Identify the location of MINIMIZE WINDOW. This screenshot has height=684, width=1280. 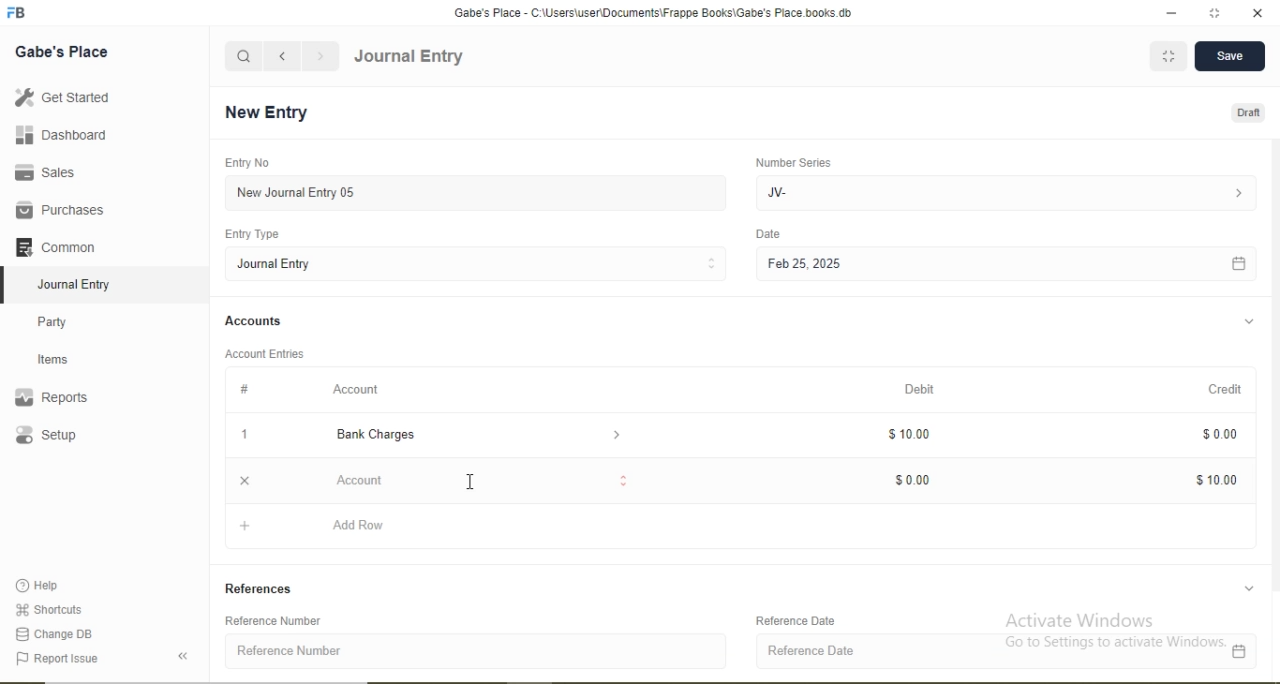
(1166, 56).